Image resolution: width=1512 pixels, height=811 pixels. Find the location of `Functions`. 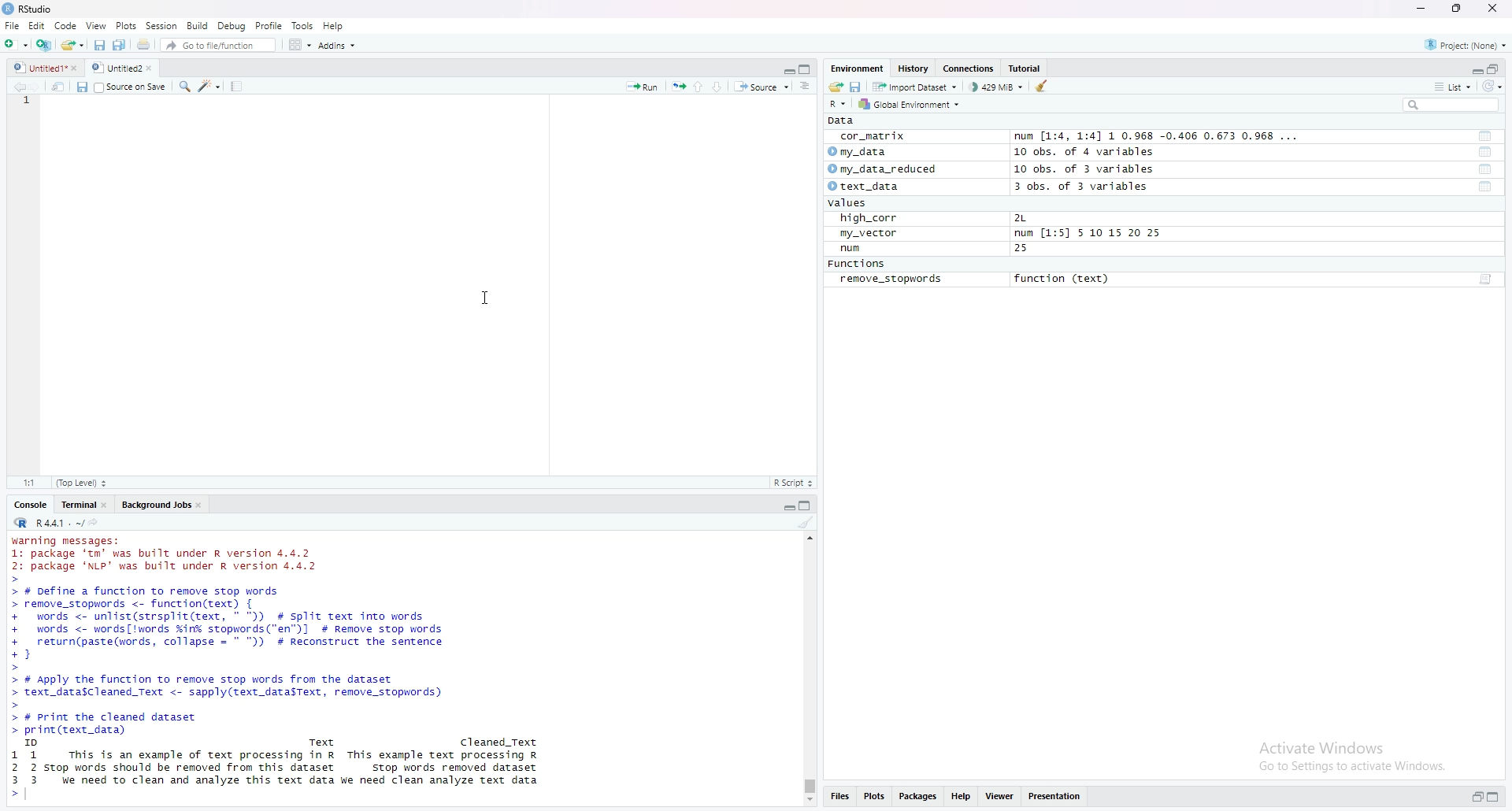

Functions is located at coordinates (856, 263).